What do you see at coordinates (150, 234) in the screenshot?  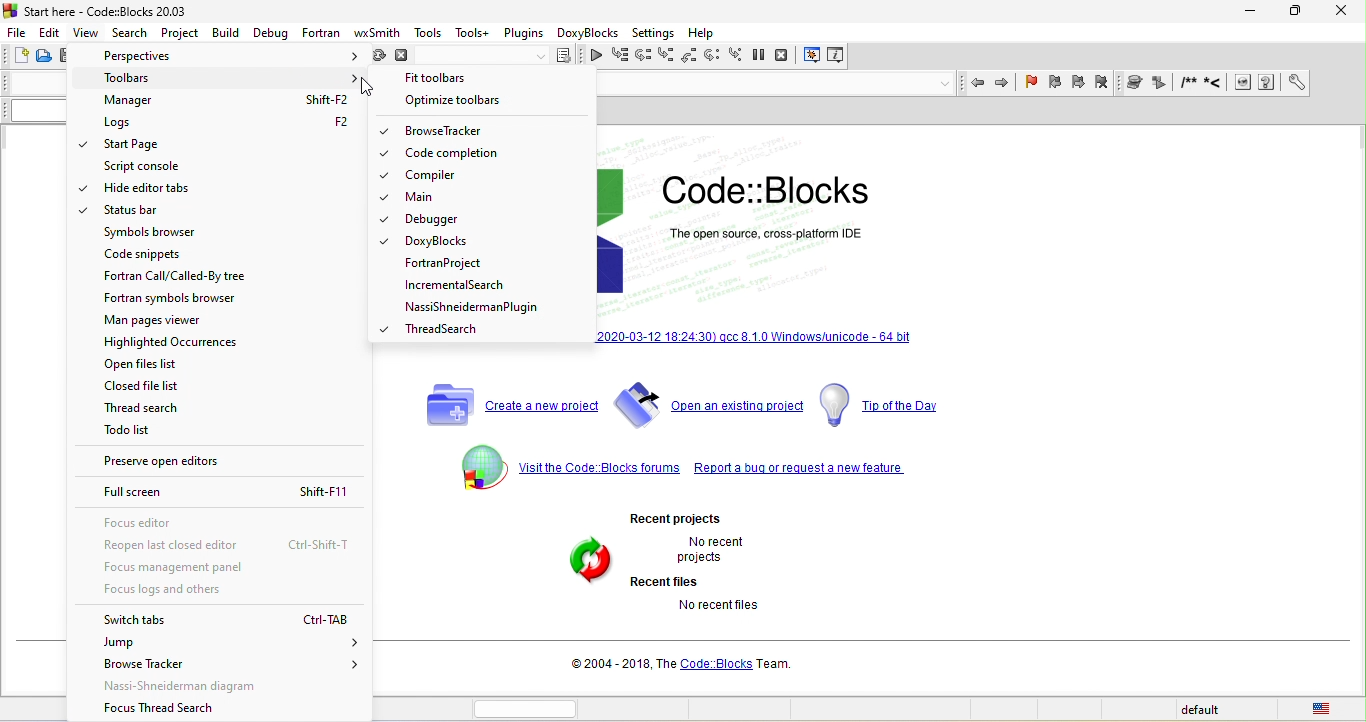 I see `symbols browser` at bounding box center [150, 234].